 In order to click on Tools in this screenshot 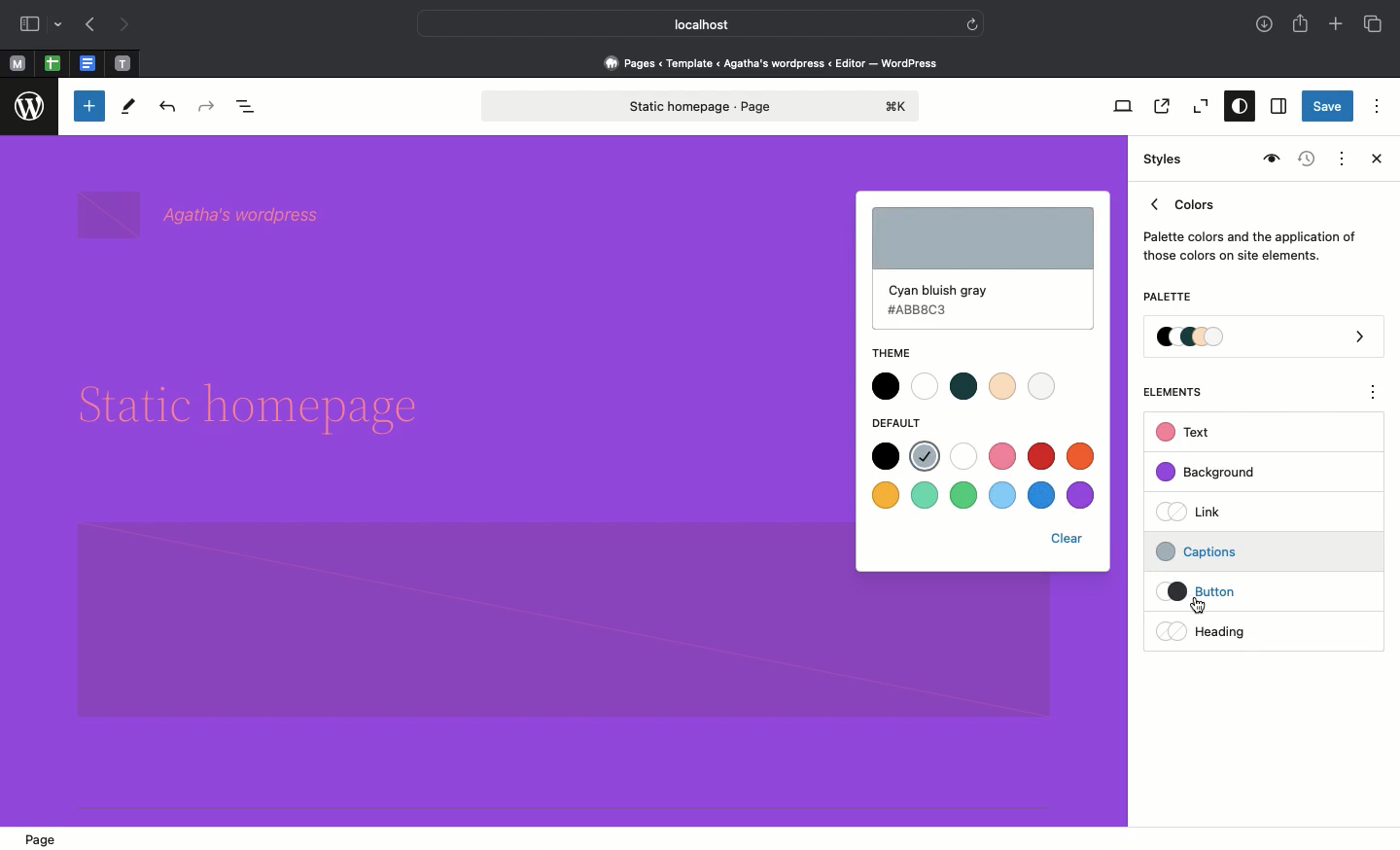, I will do `click(129, 111)`.